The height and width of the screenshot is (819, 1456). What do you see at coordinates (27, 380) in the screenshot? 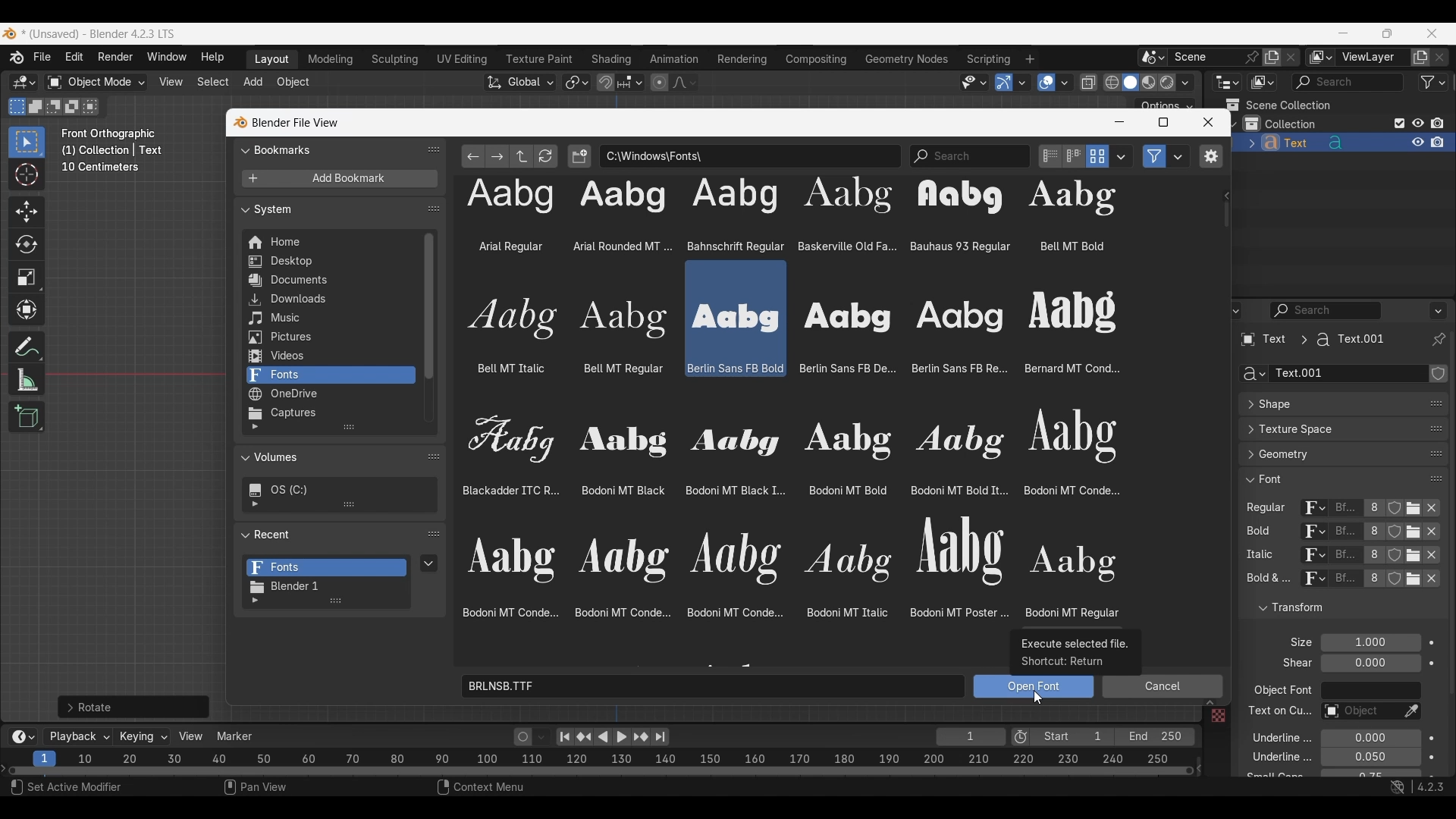
I see `Measure` at bounding box center [27, 380].